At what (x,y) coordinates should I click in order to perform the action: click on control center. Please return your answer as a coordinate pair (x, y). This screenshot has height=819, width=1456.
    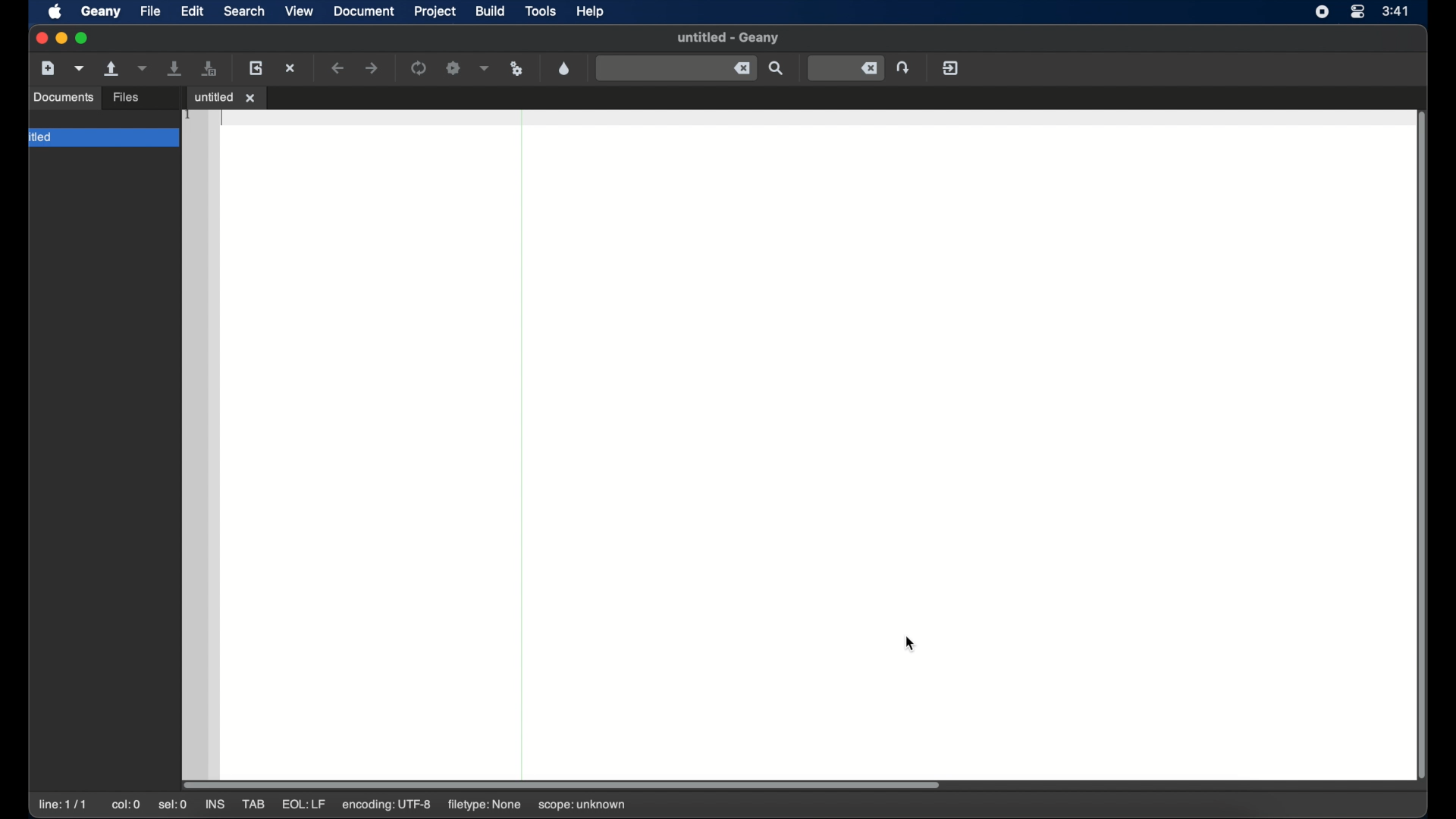
    Looking at the image, I should click on (1359, 12).